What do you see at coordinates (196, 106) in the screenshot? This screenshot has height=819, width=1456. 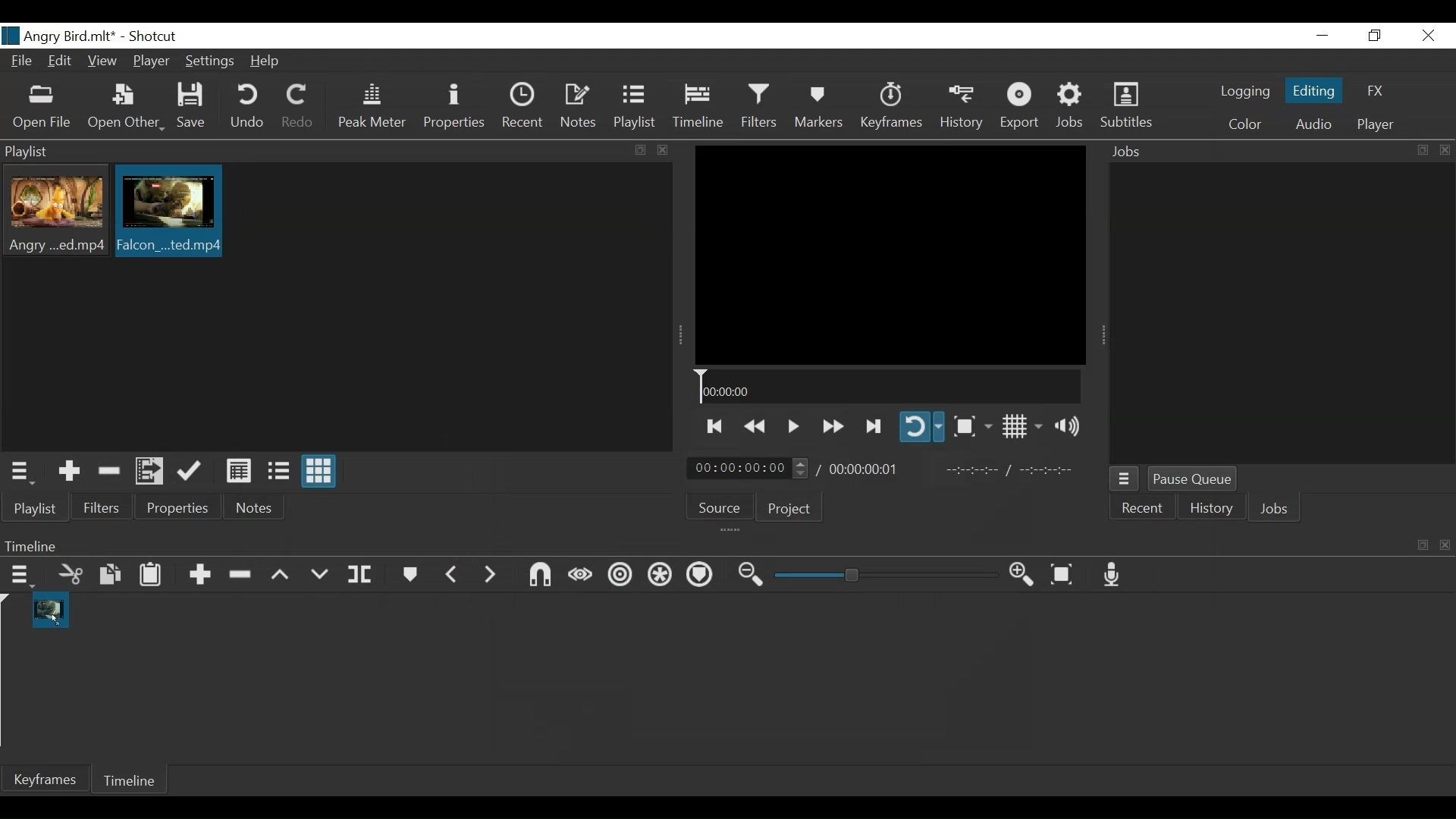 I see `Save` at bounding box center [196, 106].